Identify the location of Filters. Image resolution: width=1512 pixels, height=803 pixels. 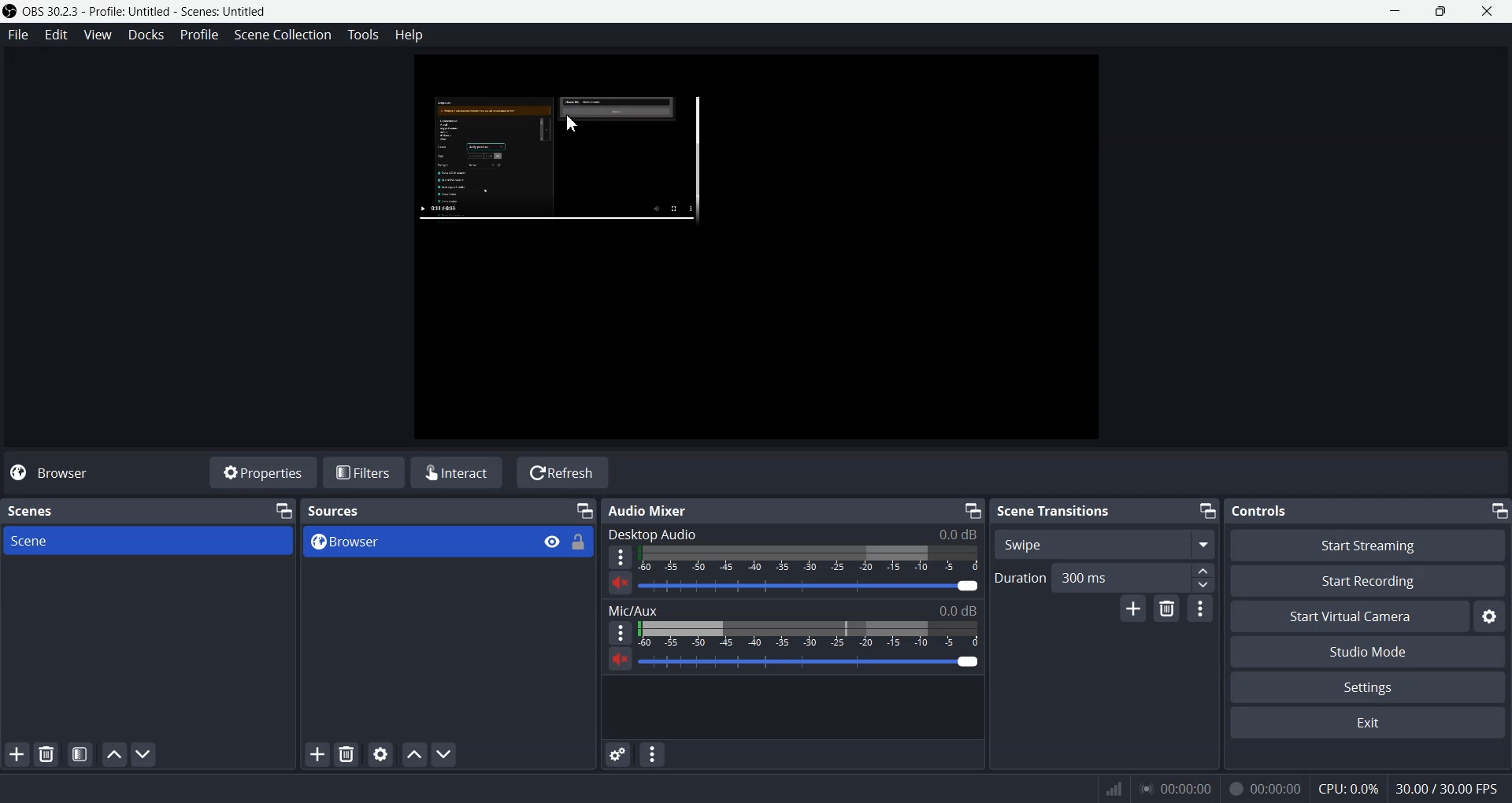
(365, 472).